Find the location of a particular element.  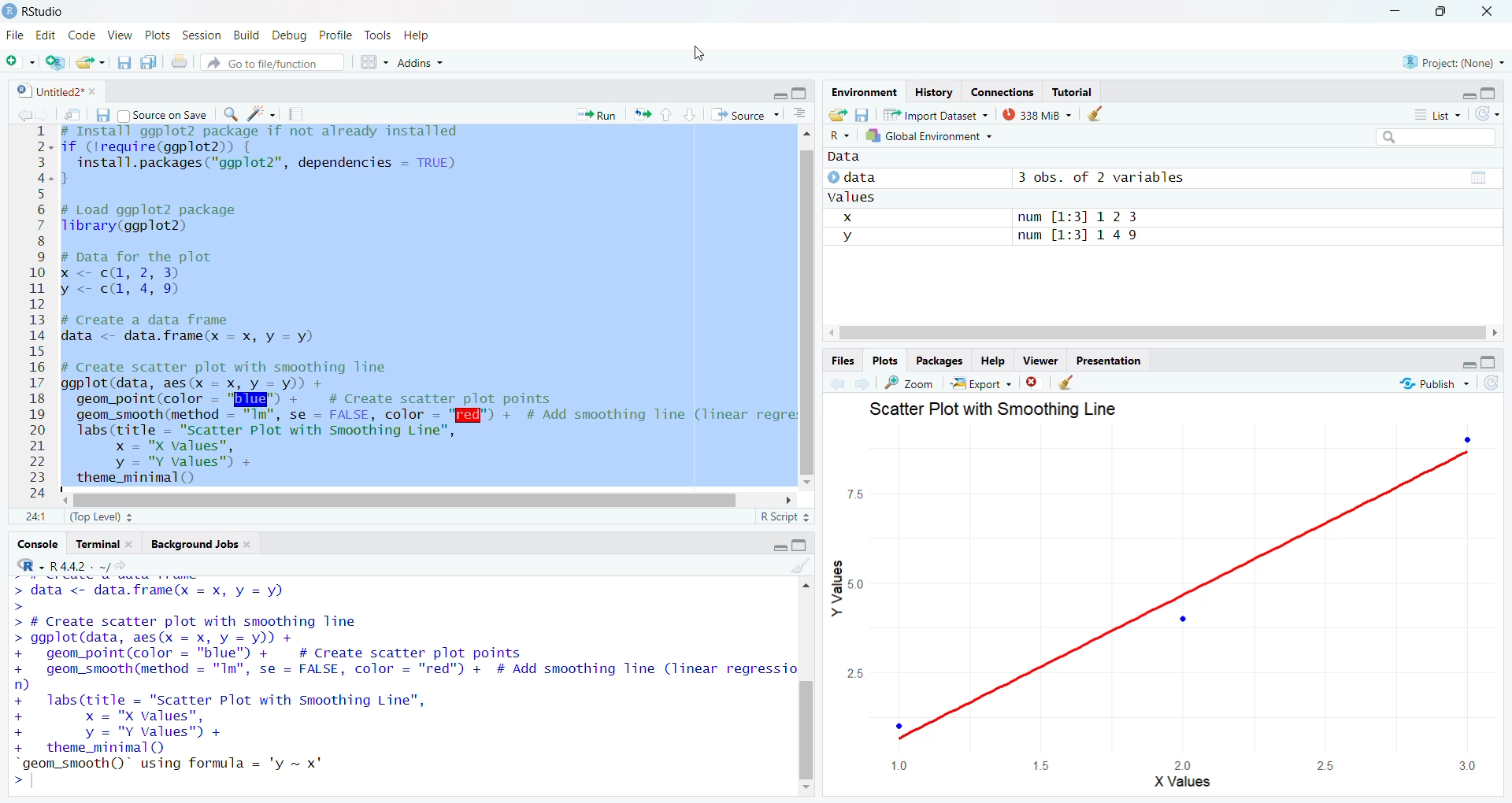

Packages is located at coordinates (943, 361).